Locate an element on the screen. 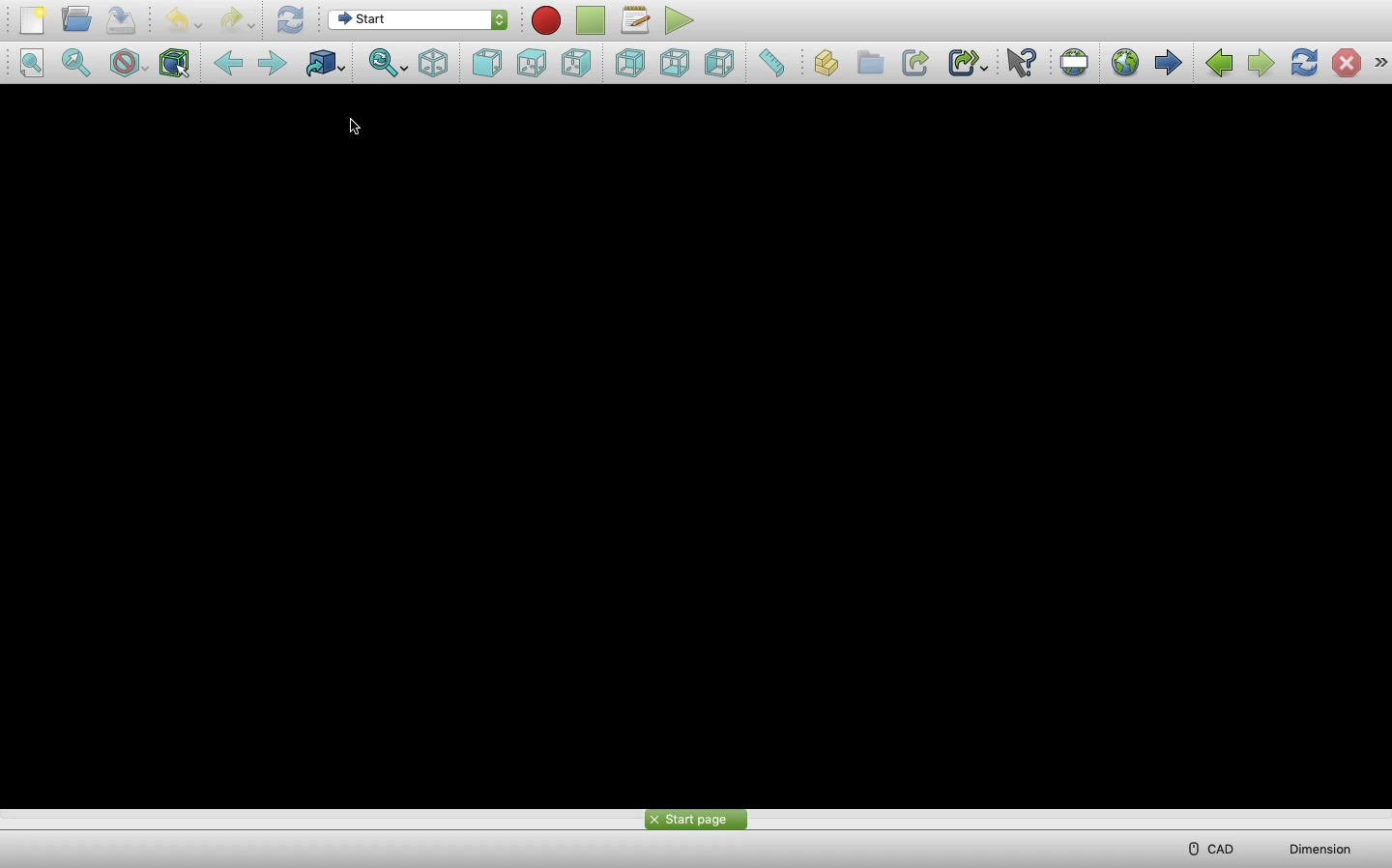  Forward Navigation is located at coordinates (1167, 62).